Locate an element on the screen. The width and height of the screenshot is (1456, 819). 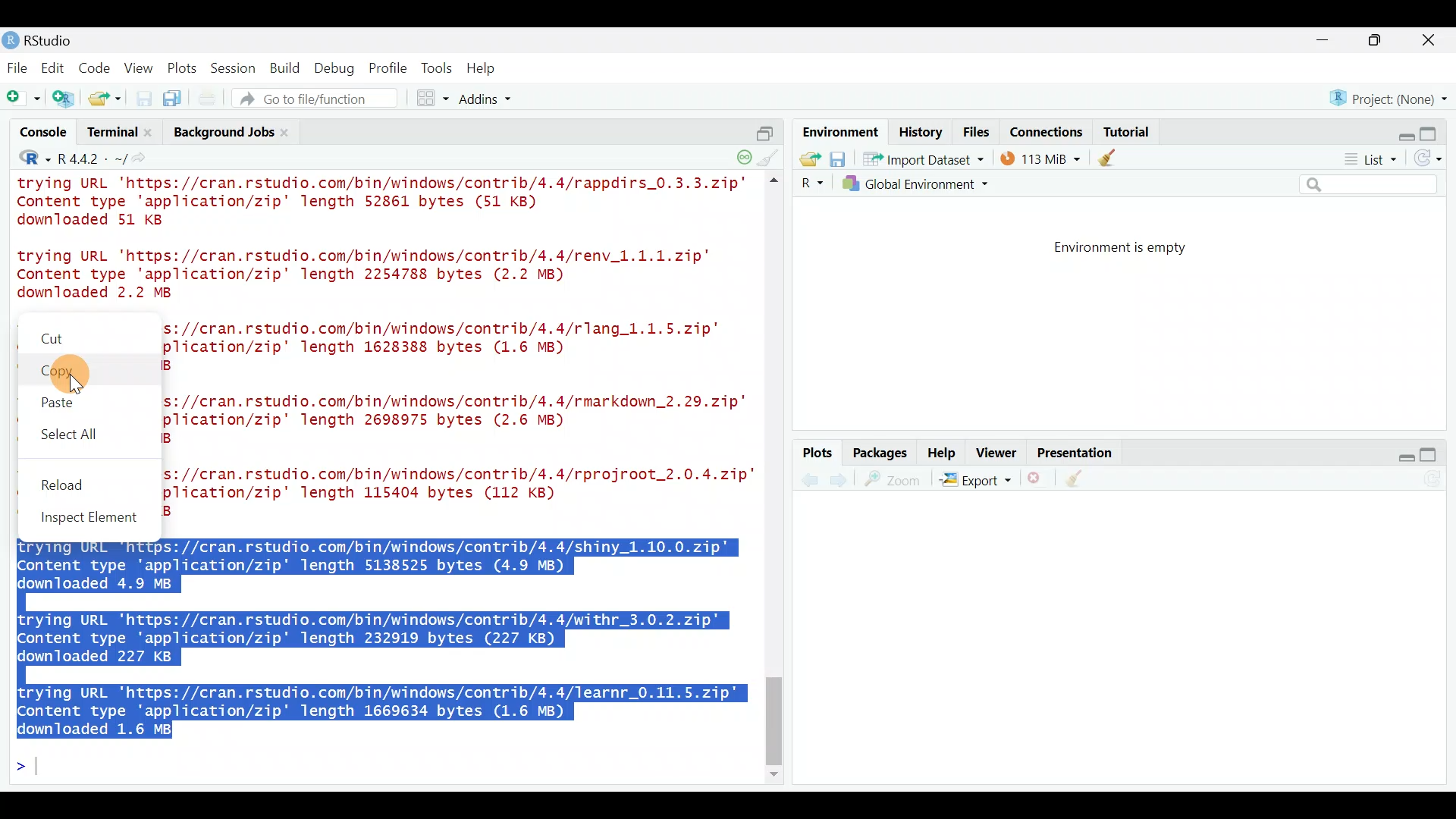
Paste is located at coordinates (74, 402).